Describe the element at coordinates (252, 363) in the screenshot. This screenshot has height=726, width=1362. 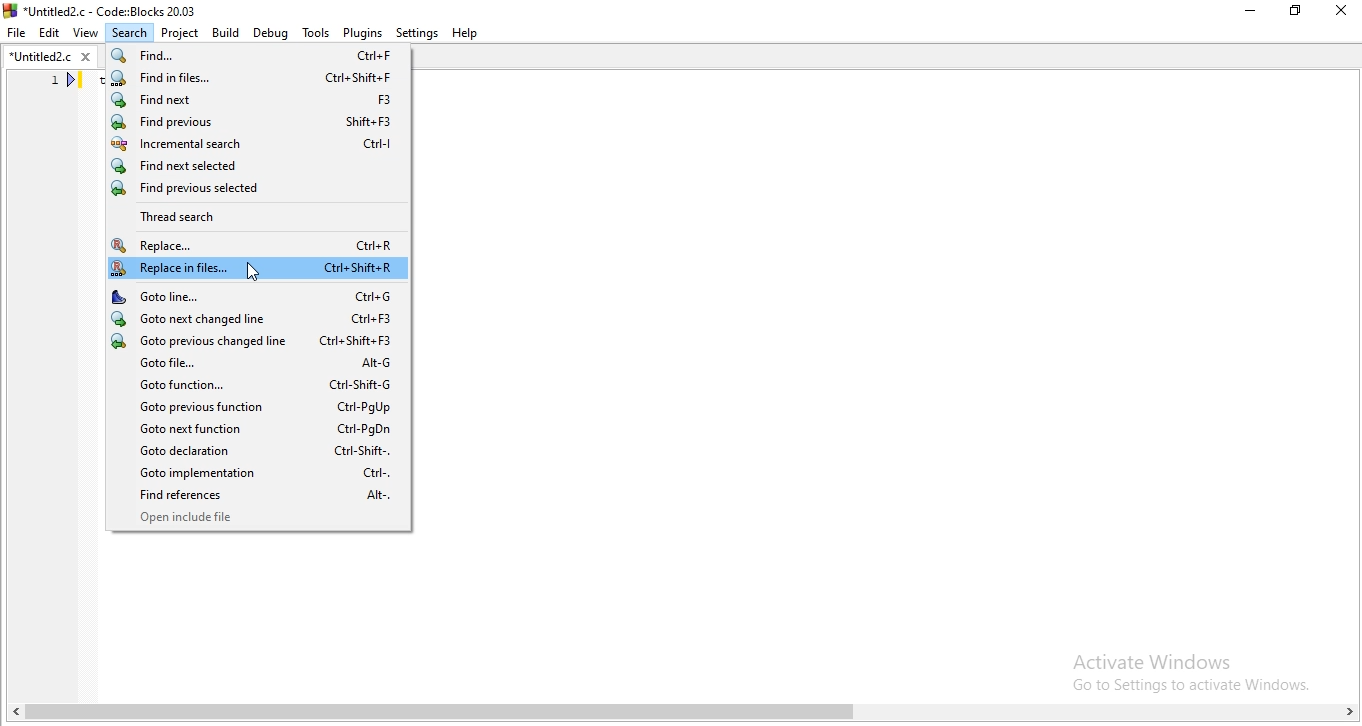
I see `Goto file..` at that location.